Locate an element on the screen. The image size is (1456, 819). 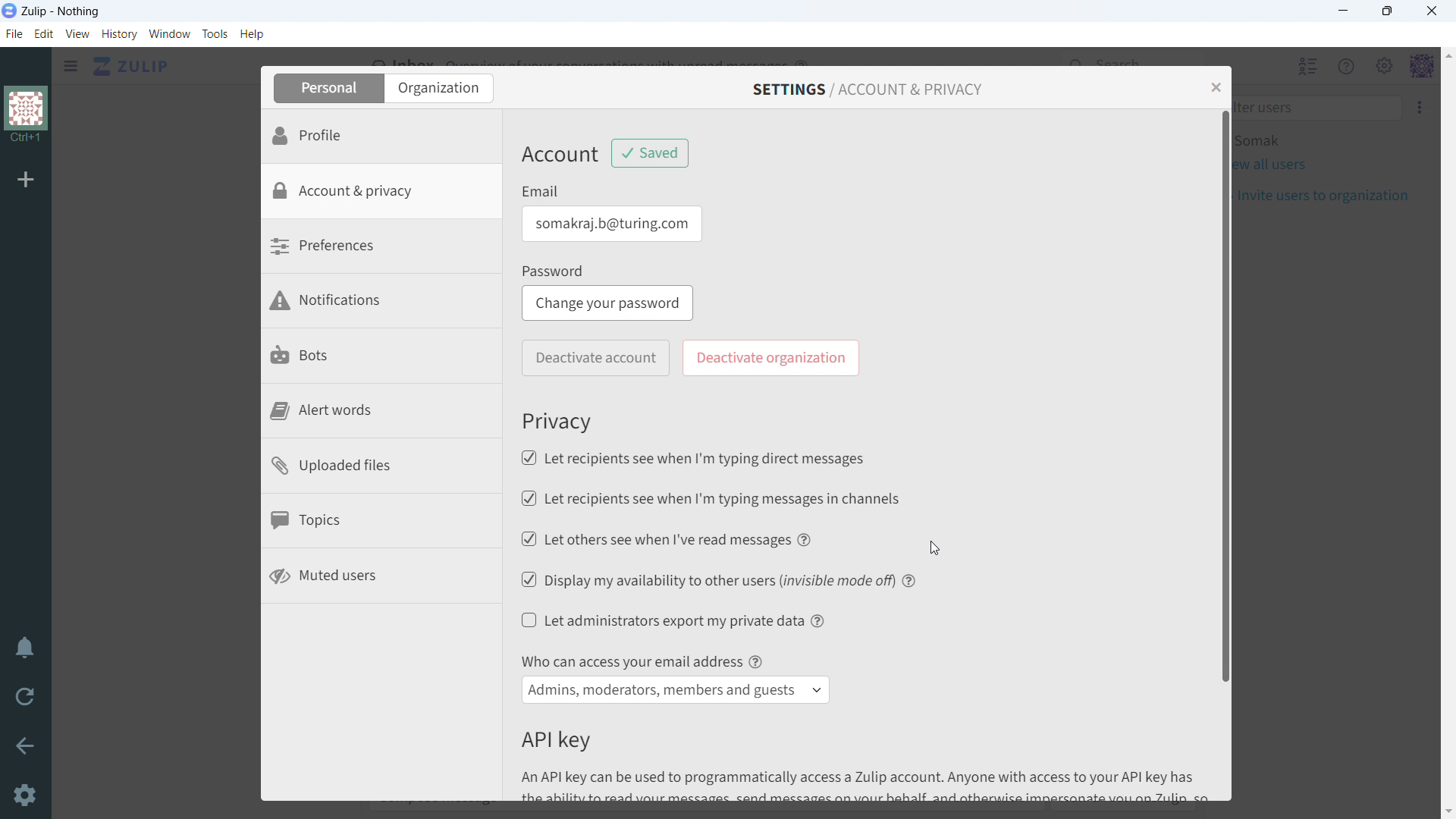
changes saved is located at coordinates (648, 153).